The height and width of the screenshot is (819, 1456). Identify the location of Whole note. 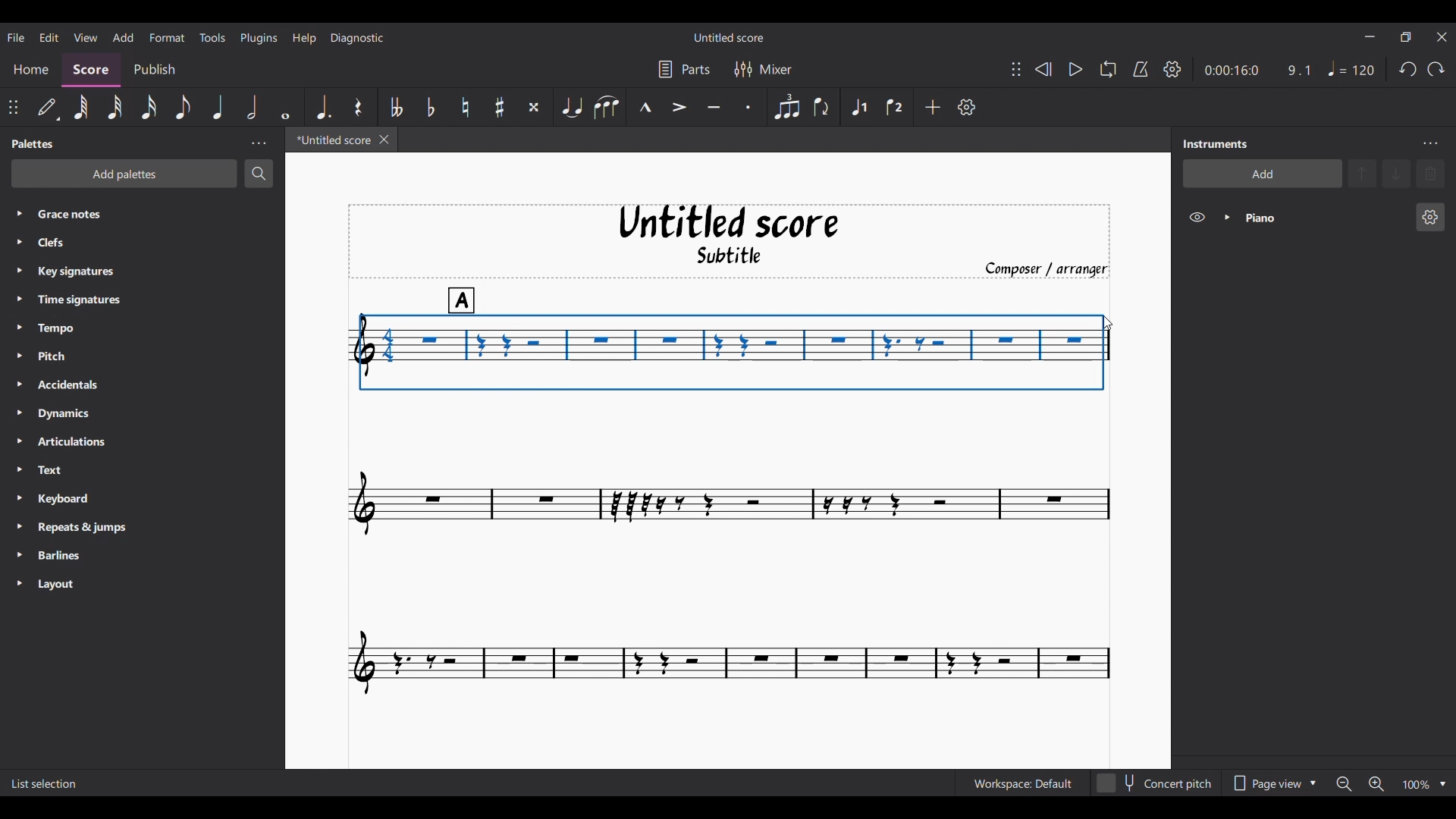
(285, 107).